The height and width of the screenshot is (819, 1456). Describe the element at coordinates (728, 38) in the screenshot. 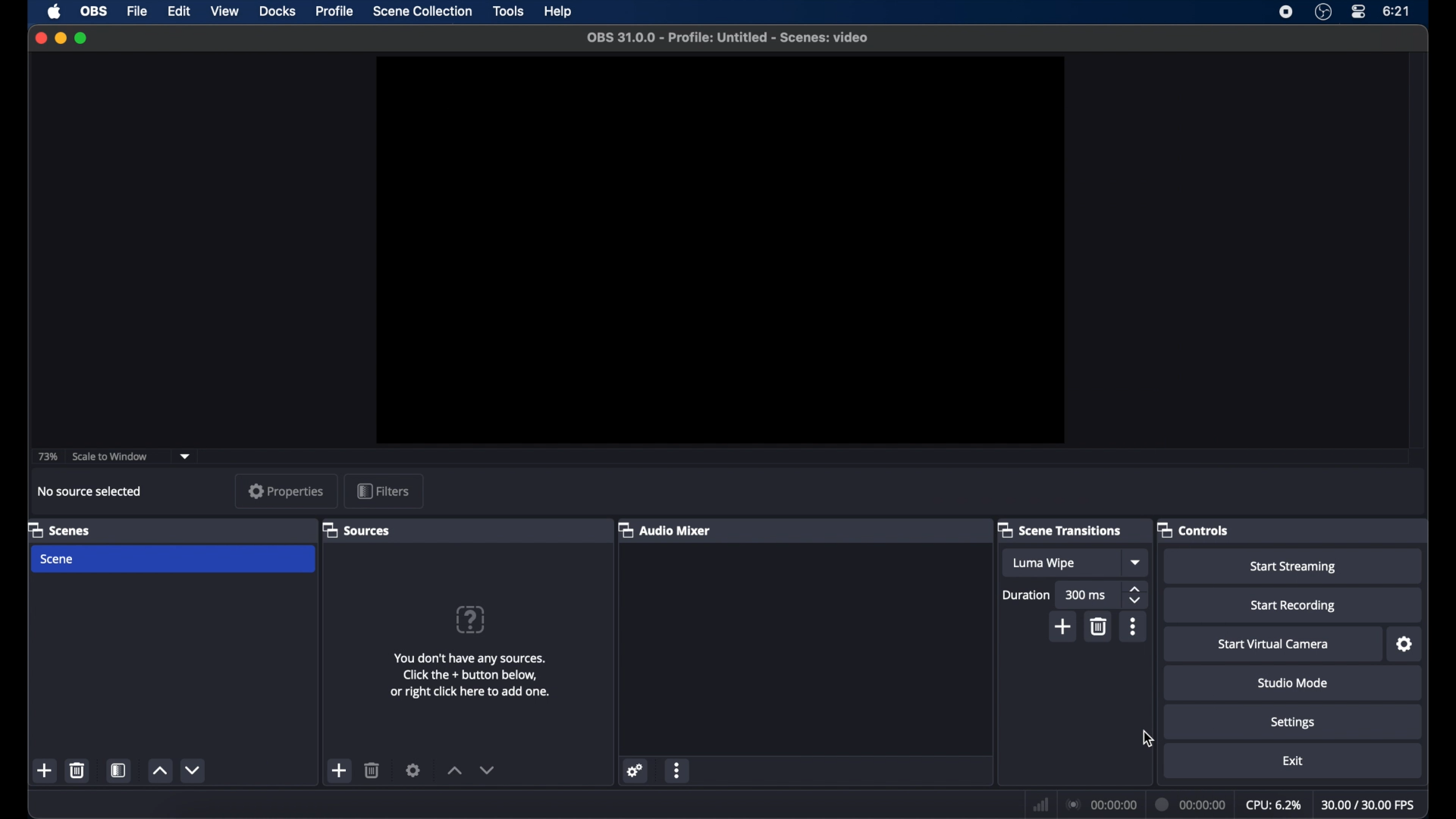

I see `file name` at that location.